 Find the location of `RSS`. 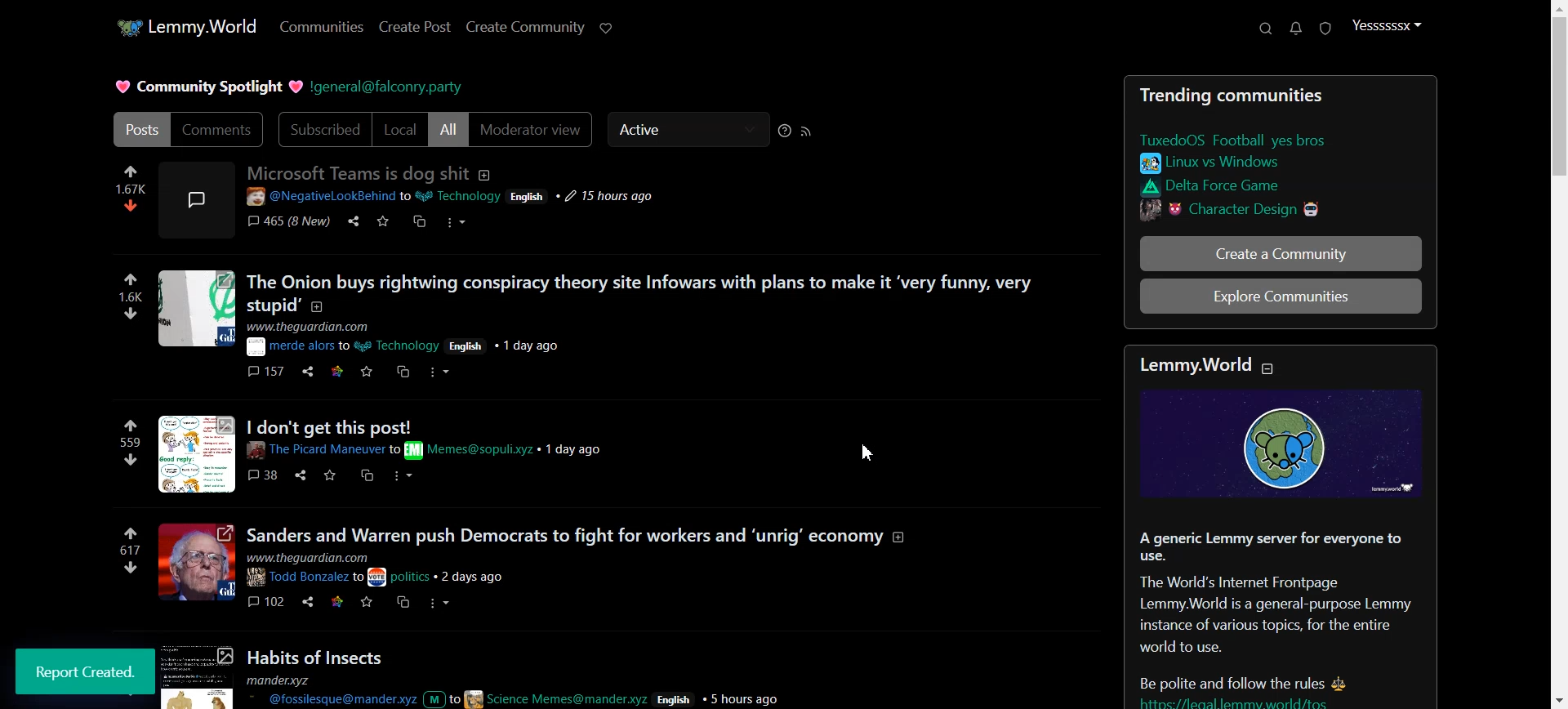

RSS is located at coordinates (808, 130).